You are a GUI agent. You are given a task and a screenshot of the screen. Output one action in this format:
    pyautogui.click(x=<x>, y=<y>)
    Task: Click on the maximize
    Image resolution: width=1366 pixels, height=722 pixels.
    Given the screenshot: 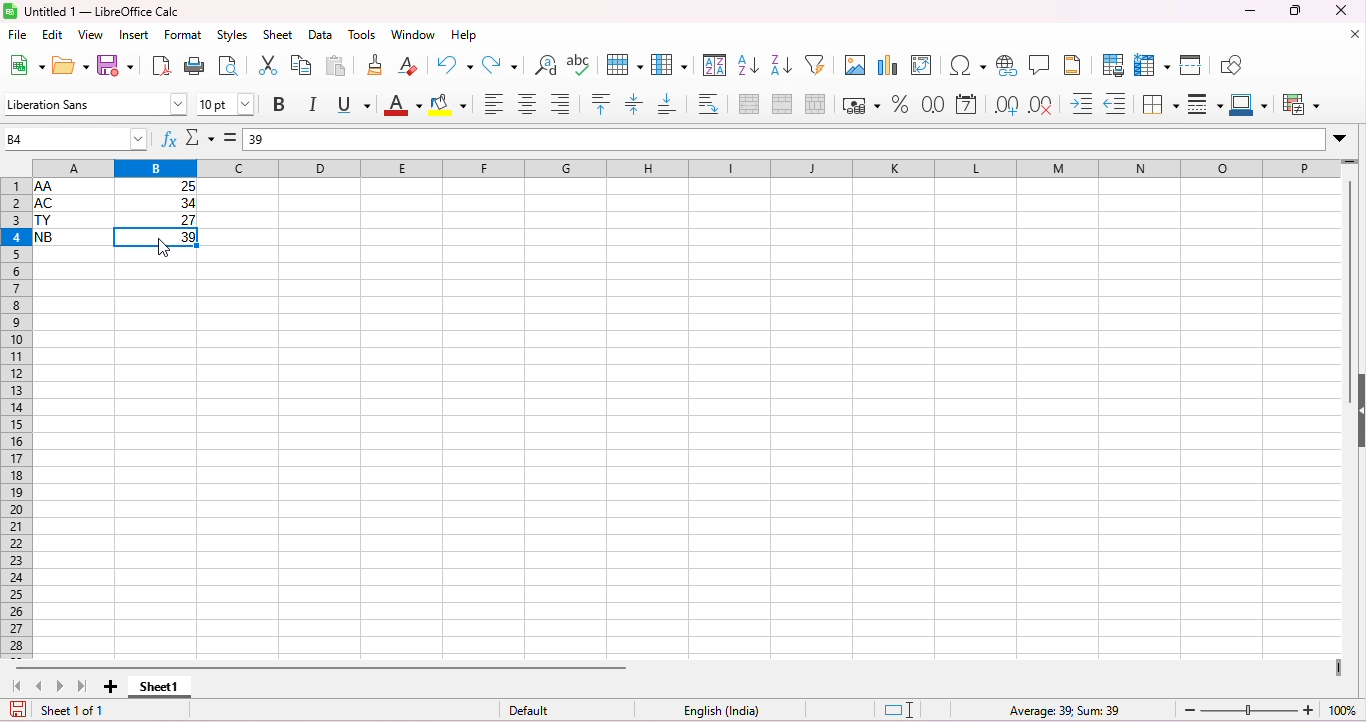 What is the action you would take?
    pyautogui.click(x=1293, y=10)
    